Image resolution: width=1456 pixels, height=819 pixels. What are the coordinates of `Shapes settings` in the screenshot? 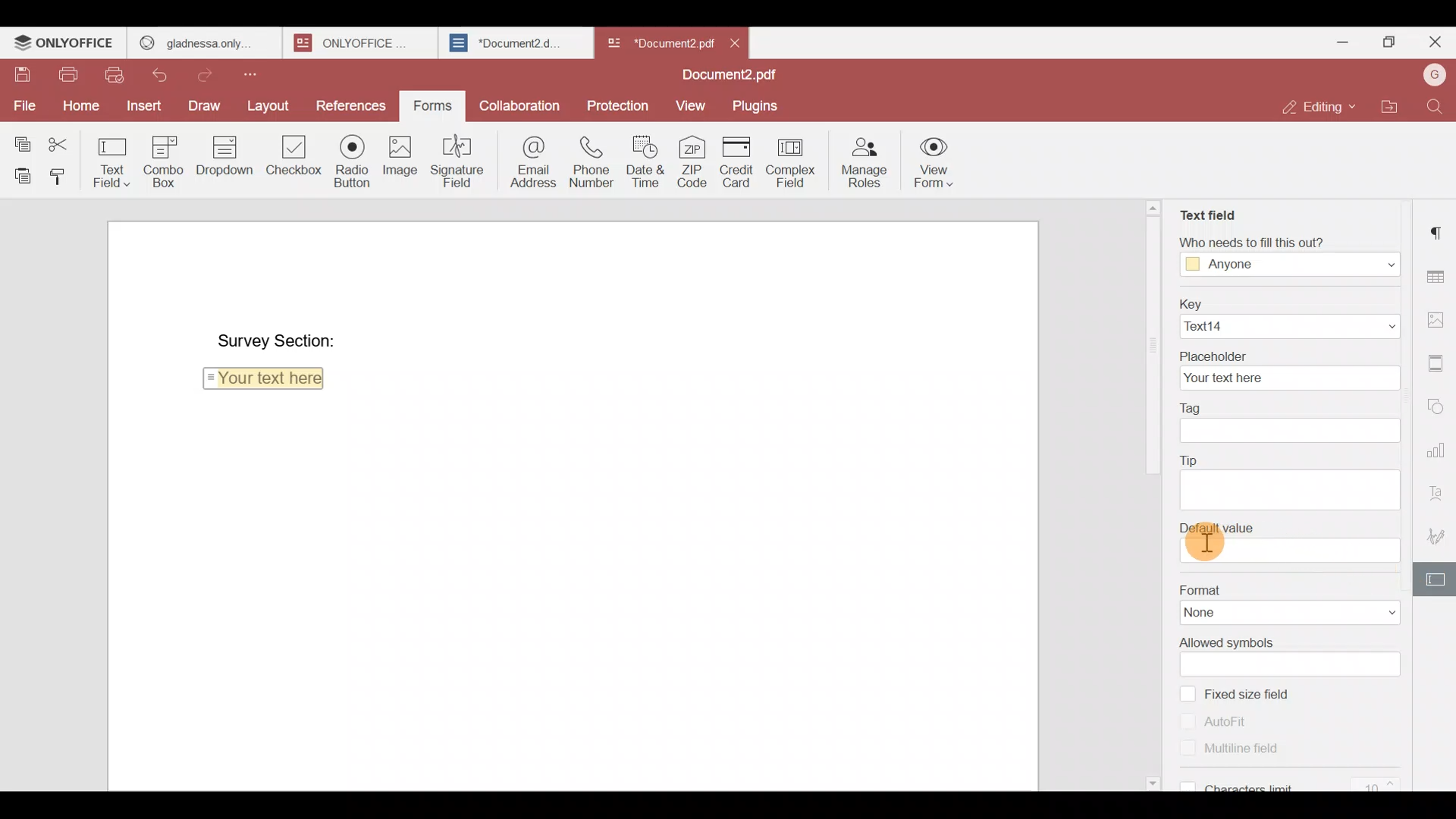 It's located at (1439, 406).